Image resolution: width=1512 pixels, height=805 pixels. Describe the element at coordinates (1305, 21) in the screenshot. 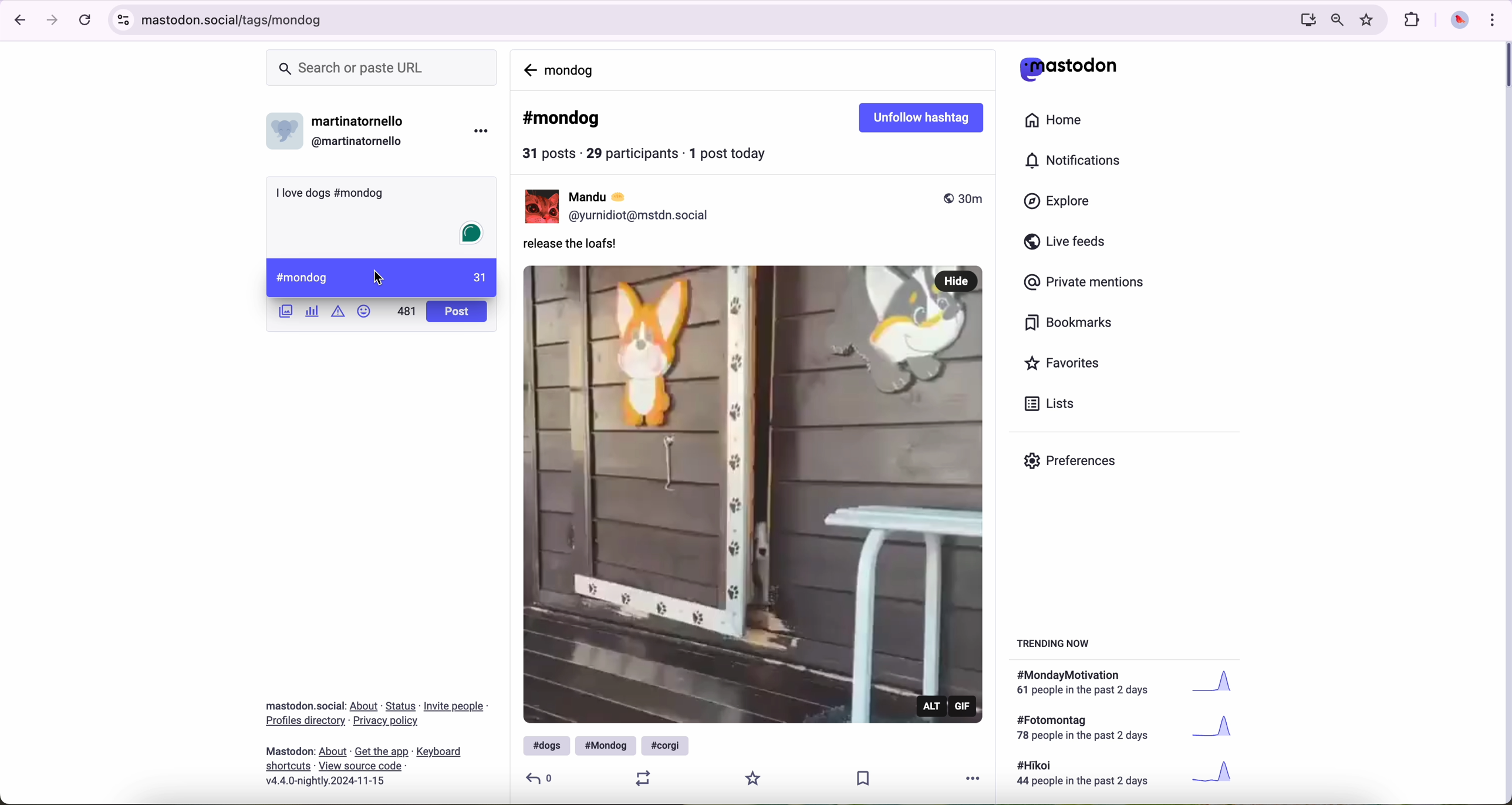

I see `screen` at that location.